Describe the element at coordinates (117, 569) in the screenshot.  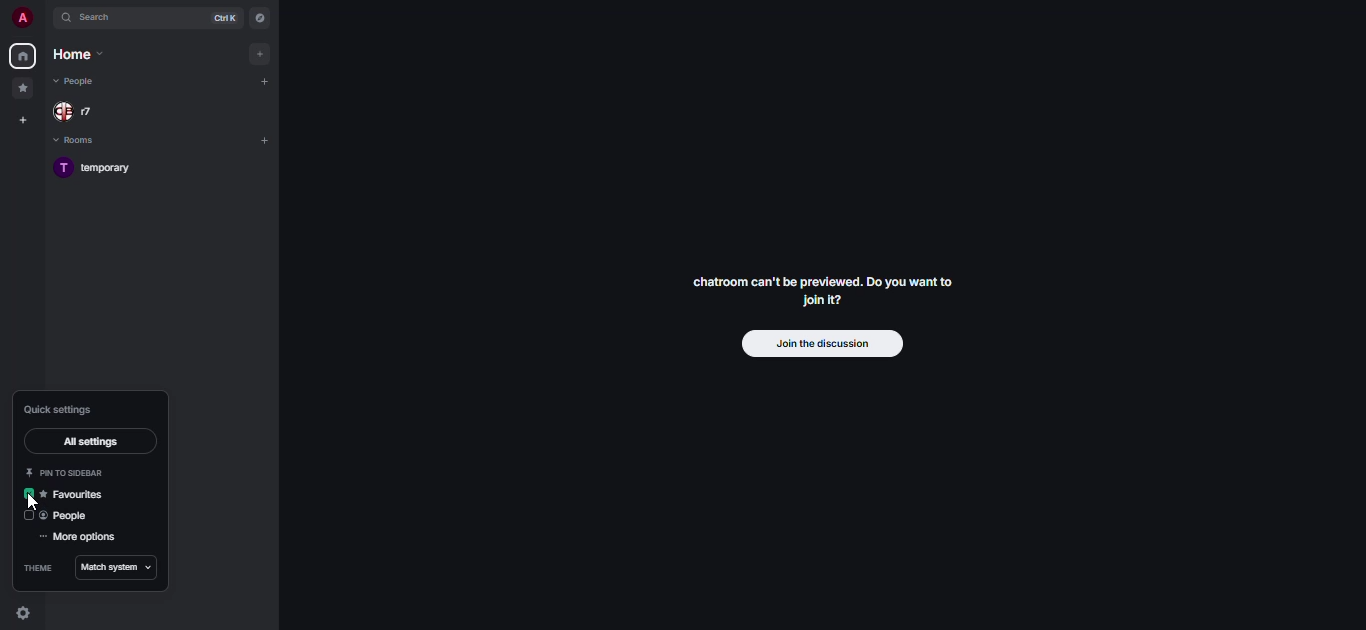
I see `match system` at that location.